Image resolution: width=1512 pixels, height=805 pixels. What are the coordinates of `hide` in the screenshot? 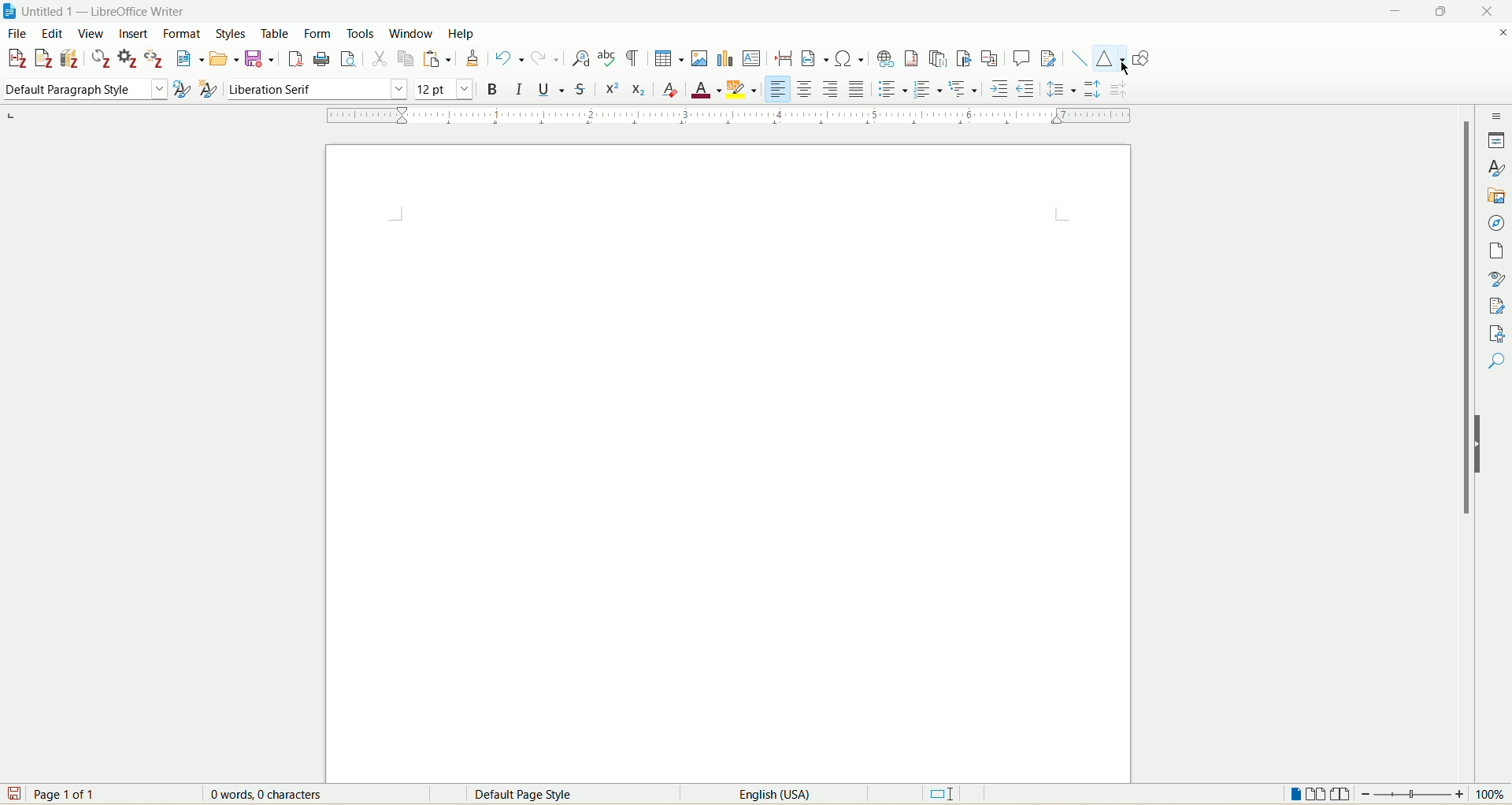 It's located at (1484, 443).